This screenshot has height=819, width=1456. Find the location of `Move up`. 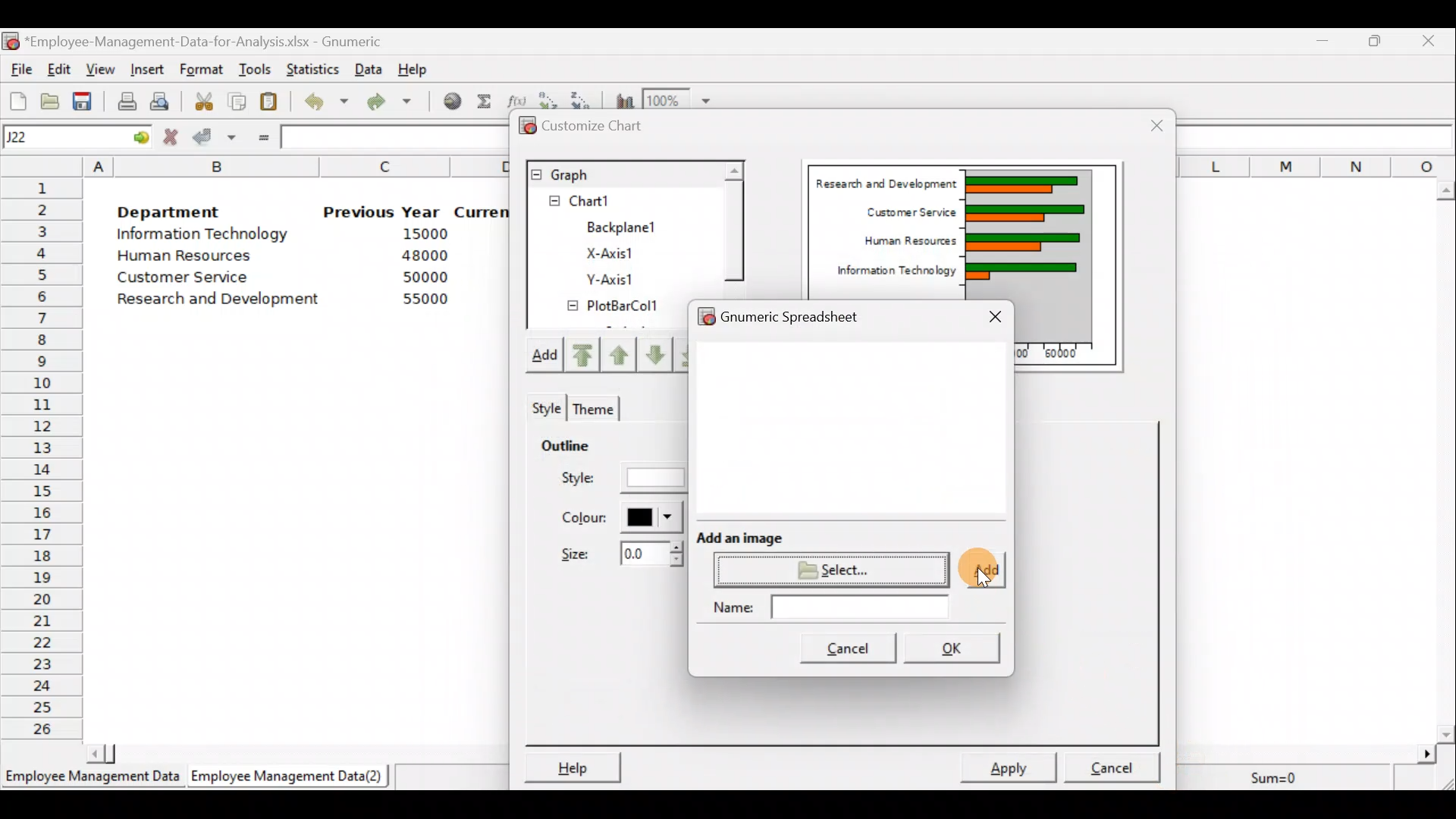

Move up is located at coordinates (620, 353).